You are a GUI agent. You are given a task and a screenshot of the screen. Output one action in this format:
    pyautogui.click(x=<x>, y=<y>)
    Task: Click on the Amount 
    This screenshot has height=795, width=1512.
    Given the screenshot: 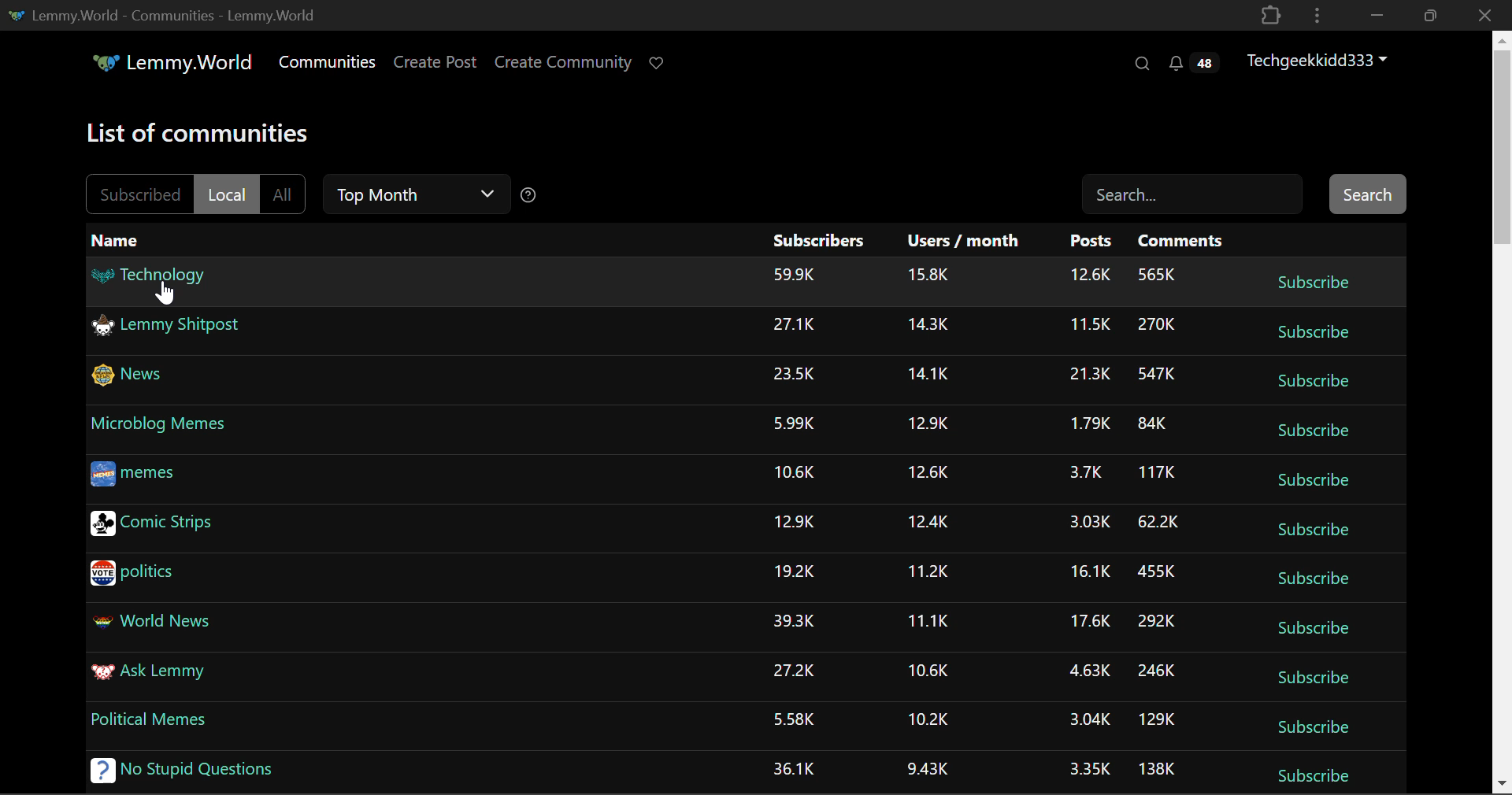 What is the action you would take?
    pyautogui.click(x=928, y=719)
    